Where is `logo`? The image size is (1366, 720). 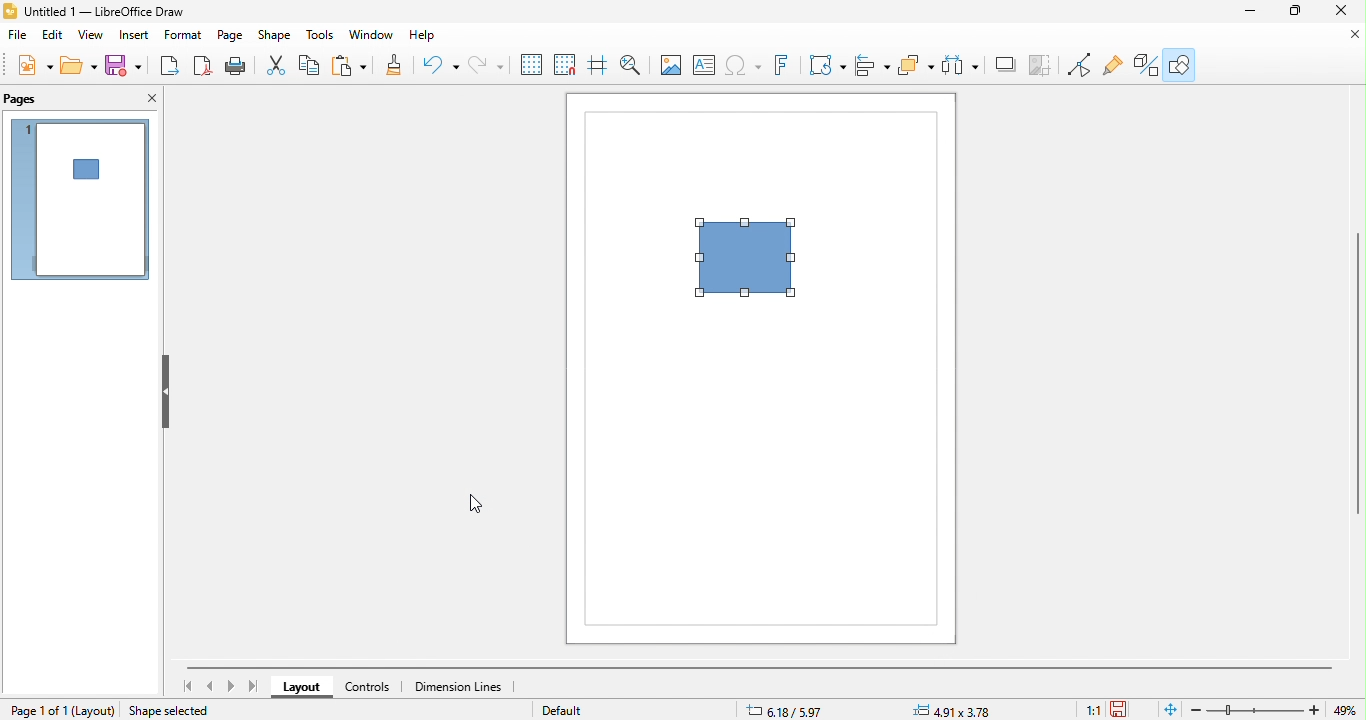 logo is located at coordinates (11, 11).